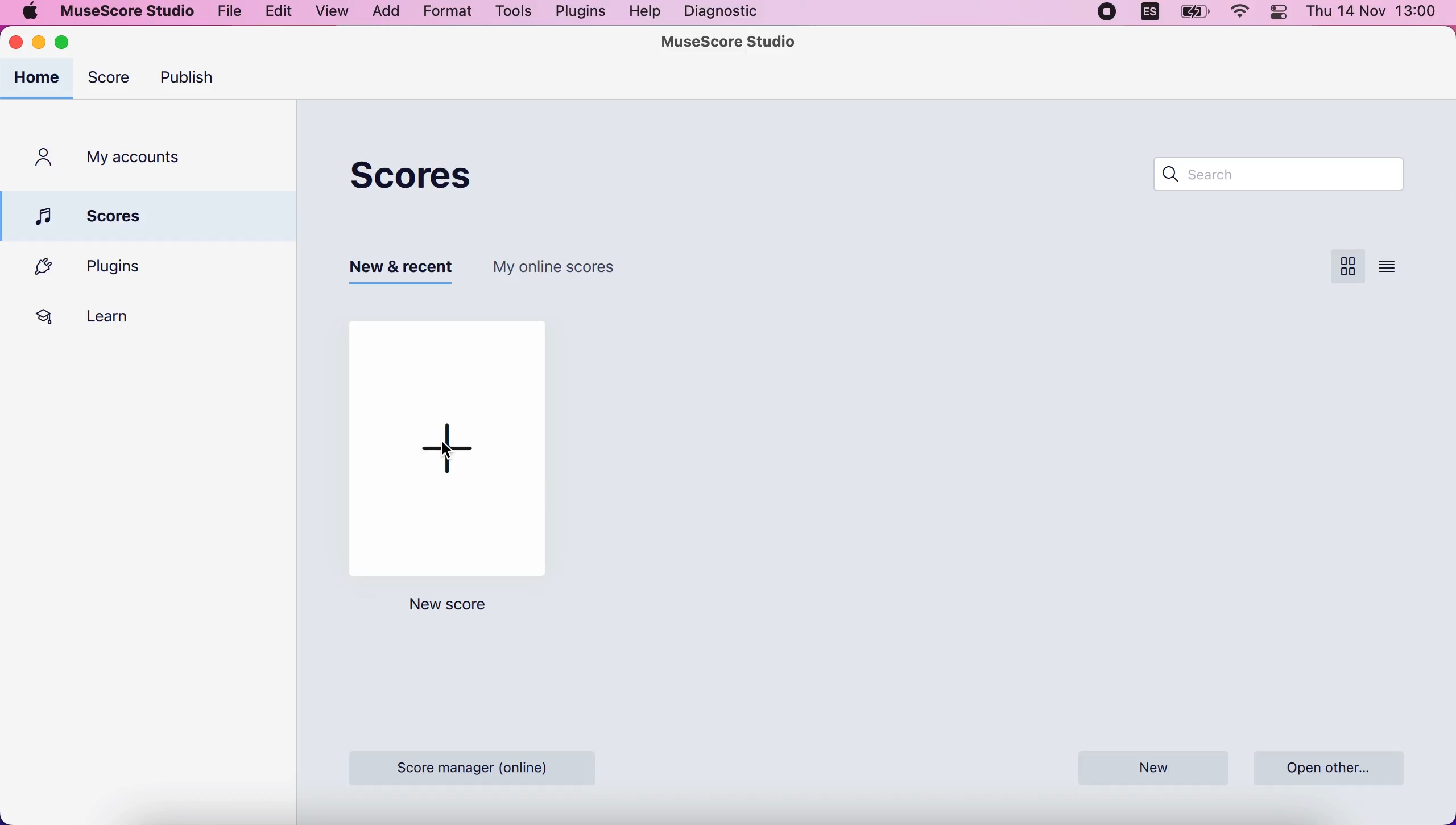  Describe the element at coordinates (578, 13) in the screenshot. I see `plugins` at that location.